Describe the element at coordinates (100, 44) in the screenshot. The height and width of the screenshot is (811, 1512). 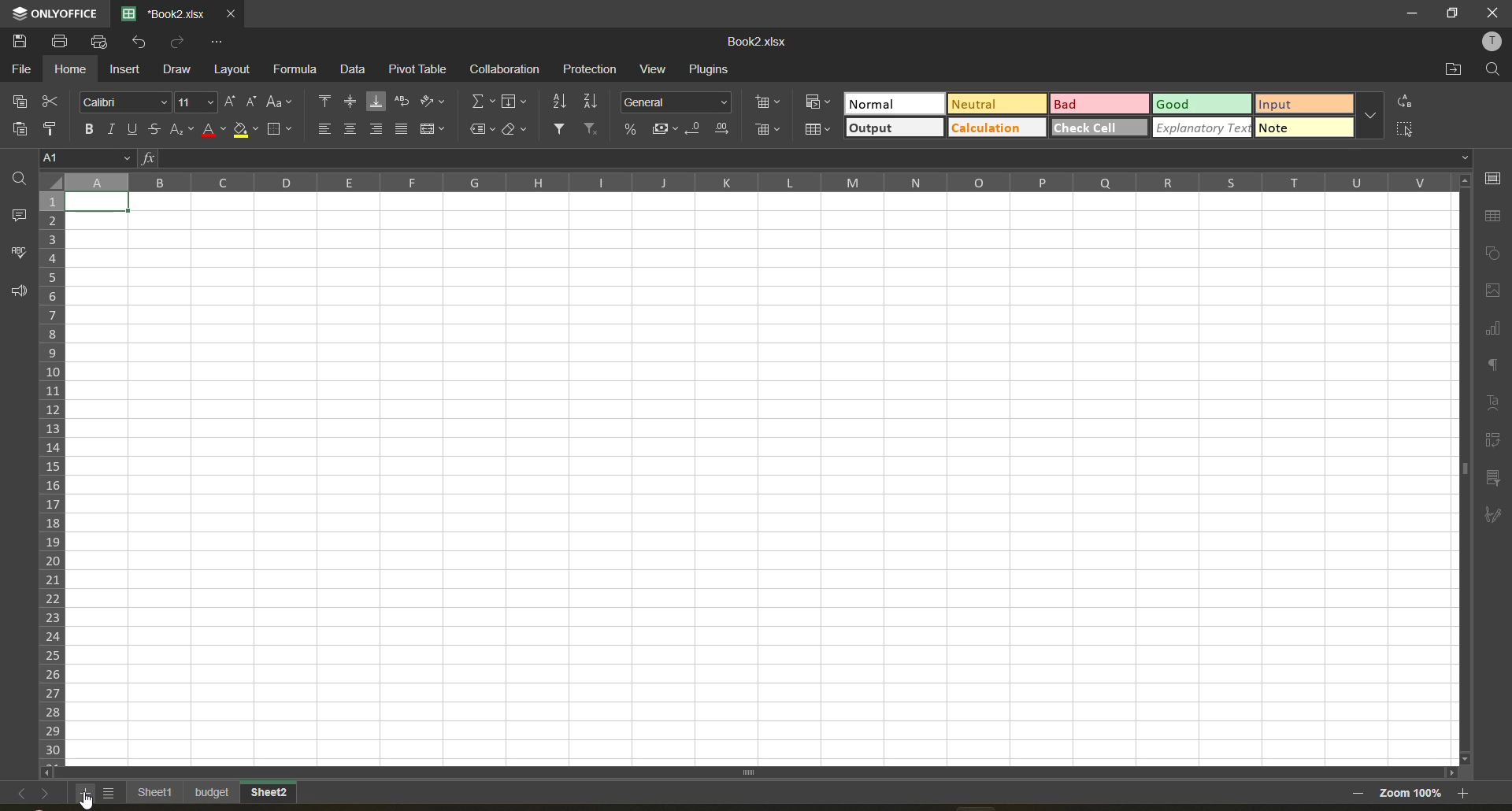
I see `quick print` at that location.